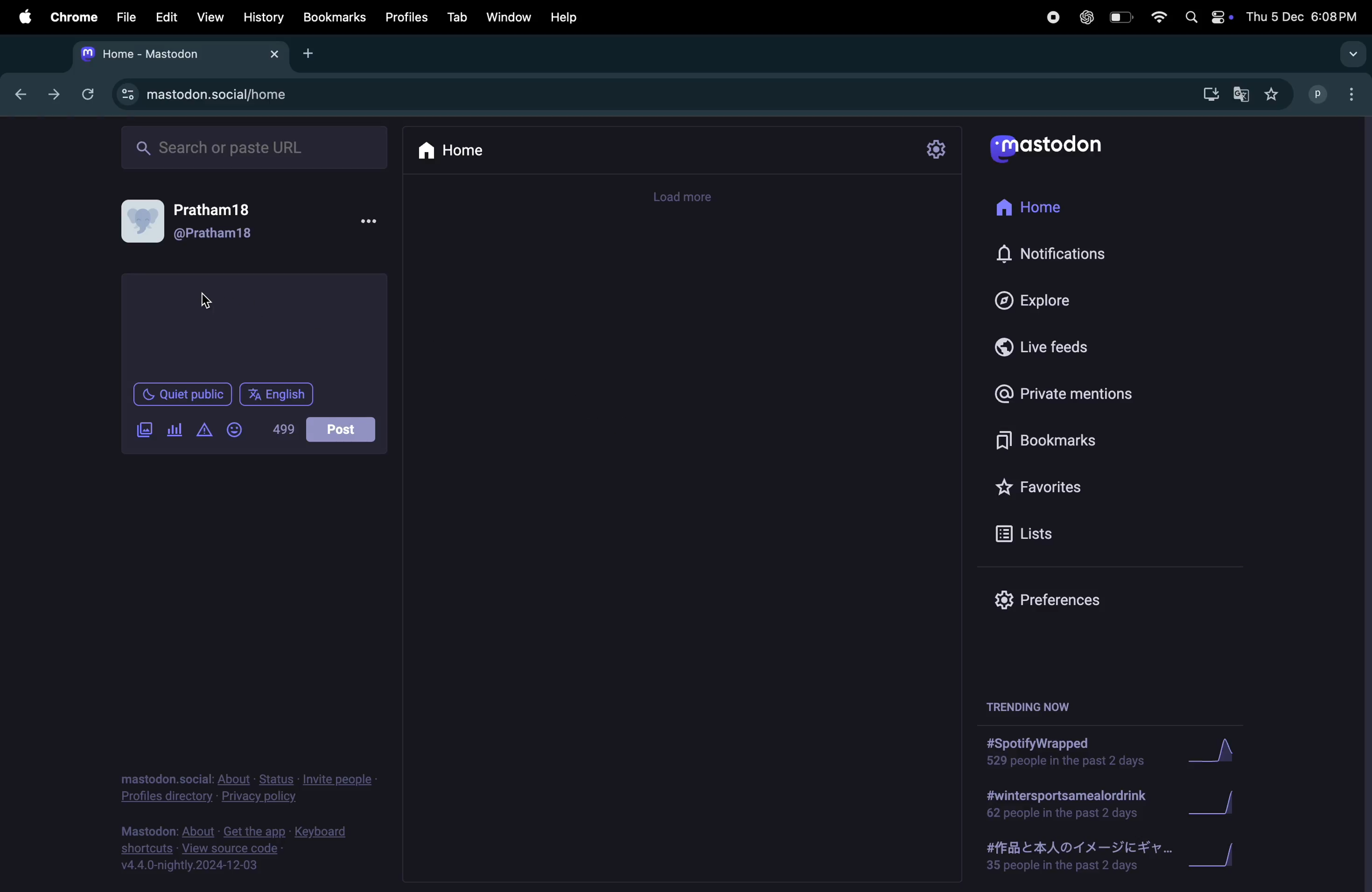  I want to click on download mastodon, so click(1208, 94).